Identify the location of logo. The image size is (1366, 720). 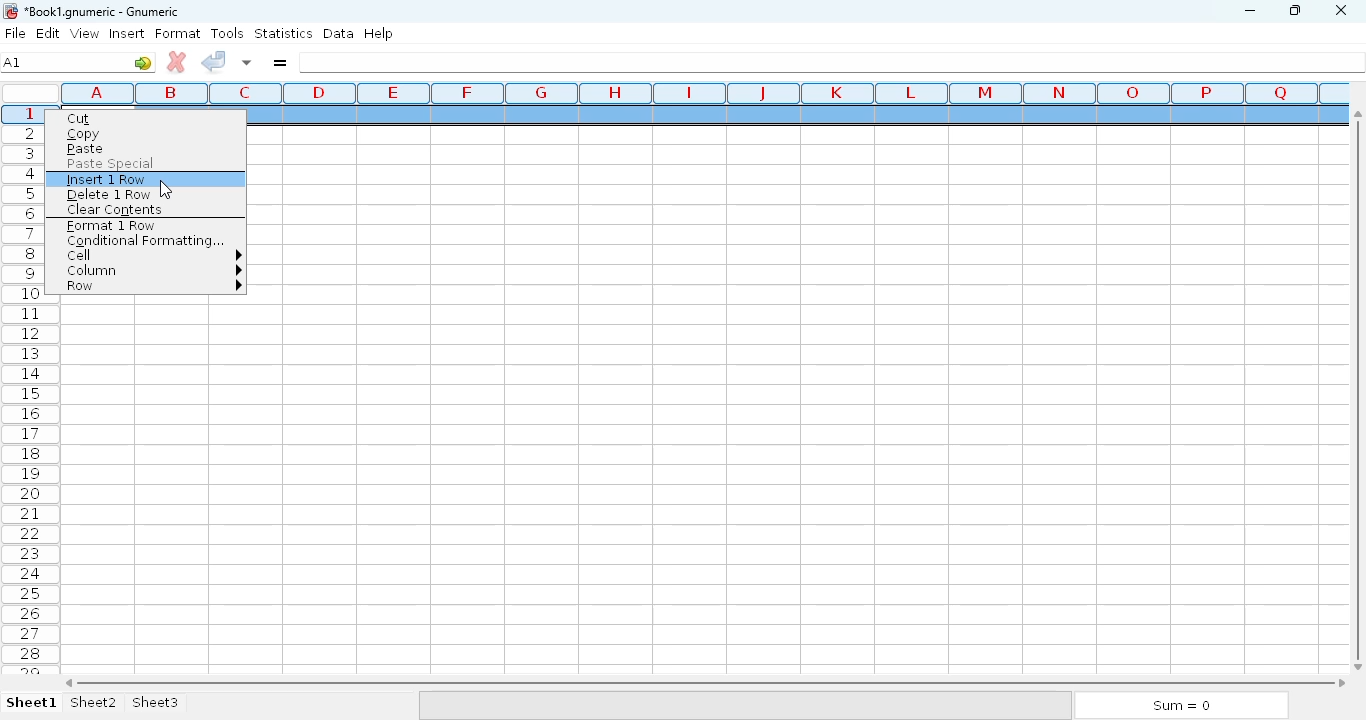
(9, 11).